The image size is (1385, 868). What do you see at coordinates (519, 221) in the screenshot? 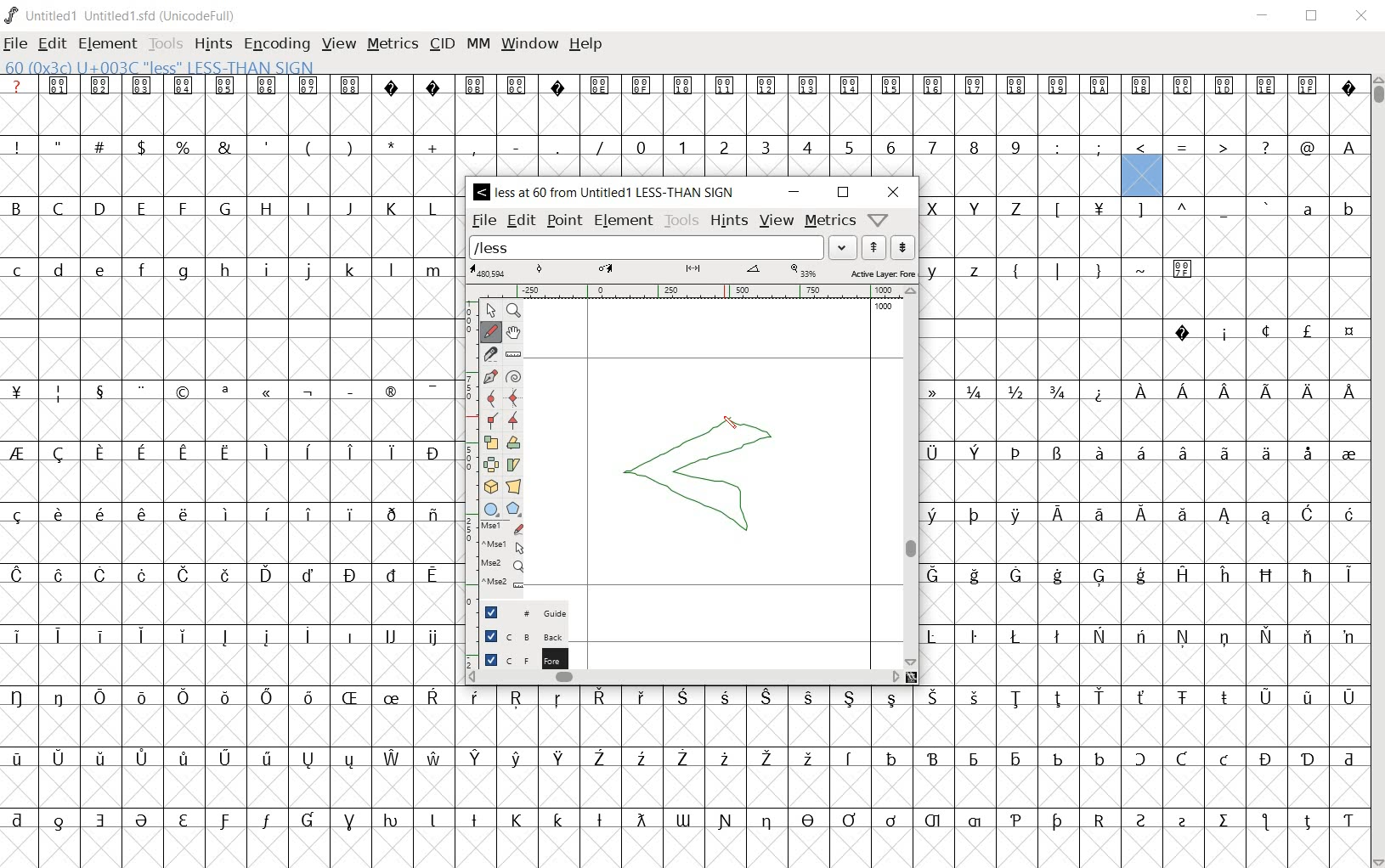
I see `edit` at bounding box center [519, 221].